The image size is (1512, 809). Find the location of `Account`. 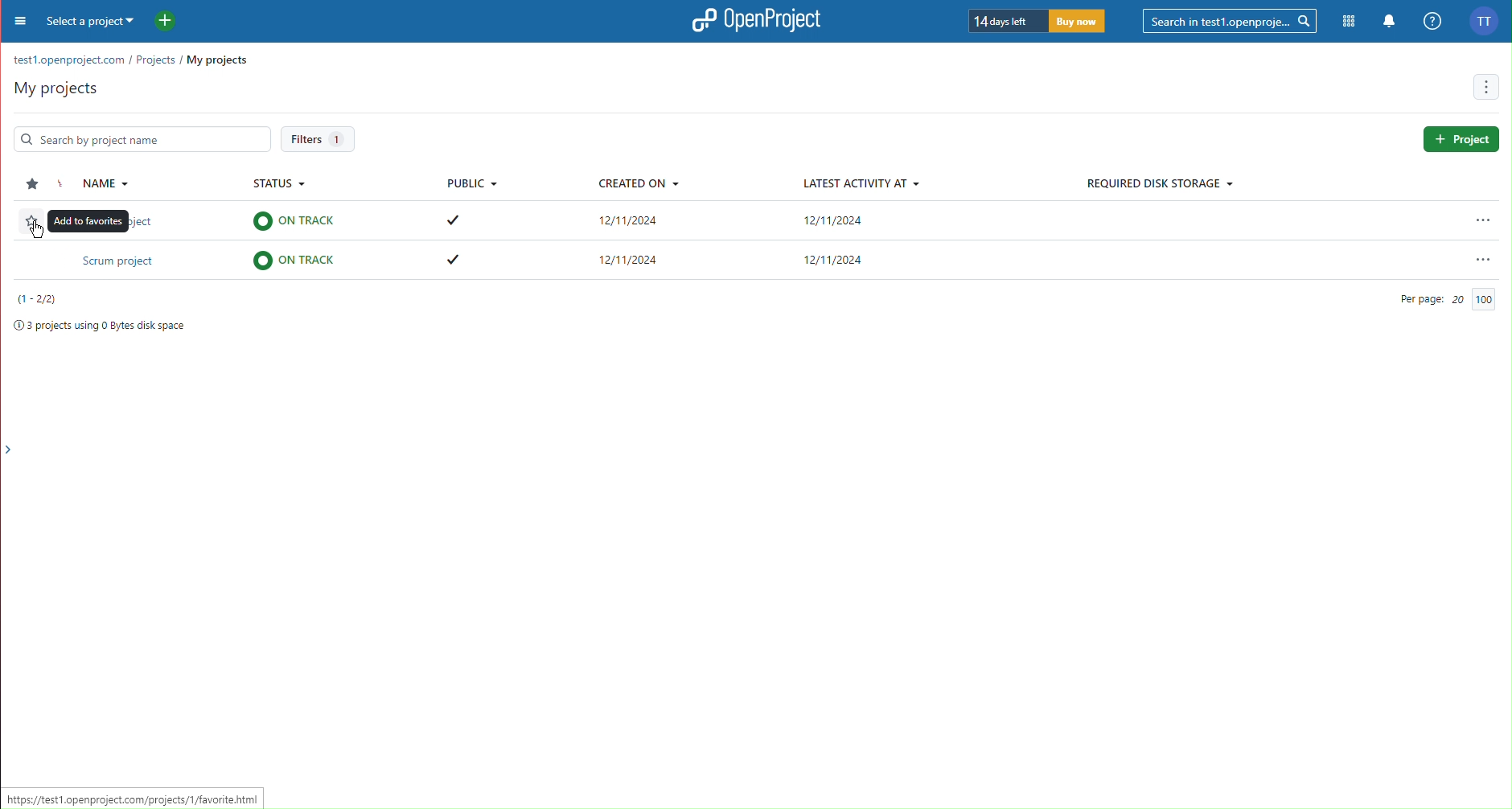

Account is located at coordinates (1485, 22).